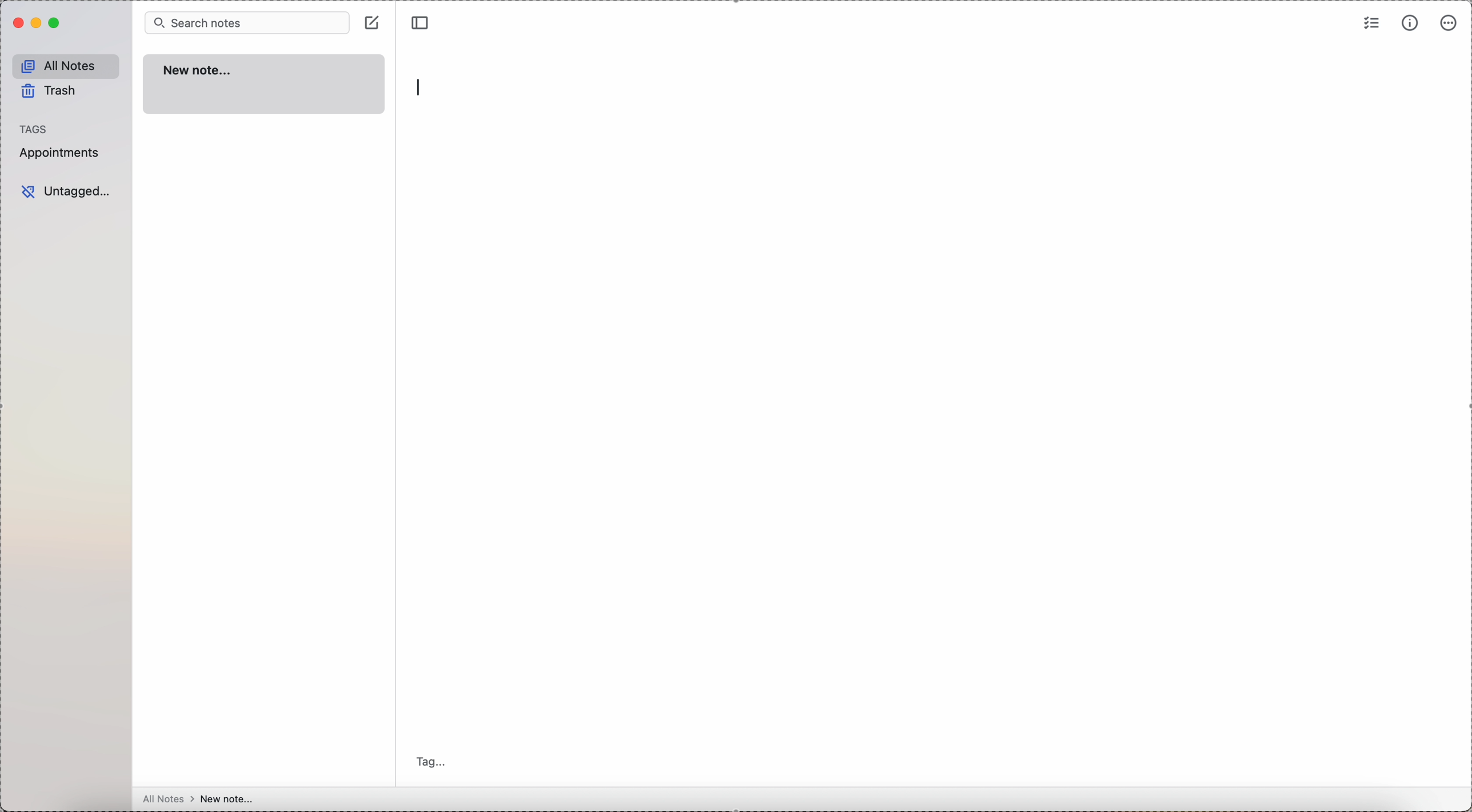 The image size is (1472, 812). Describe the element at coordinates (62, 153) in the screenshot. I see `appointments` at that location.